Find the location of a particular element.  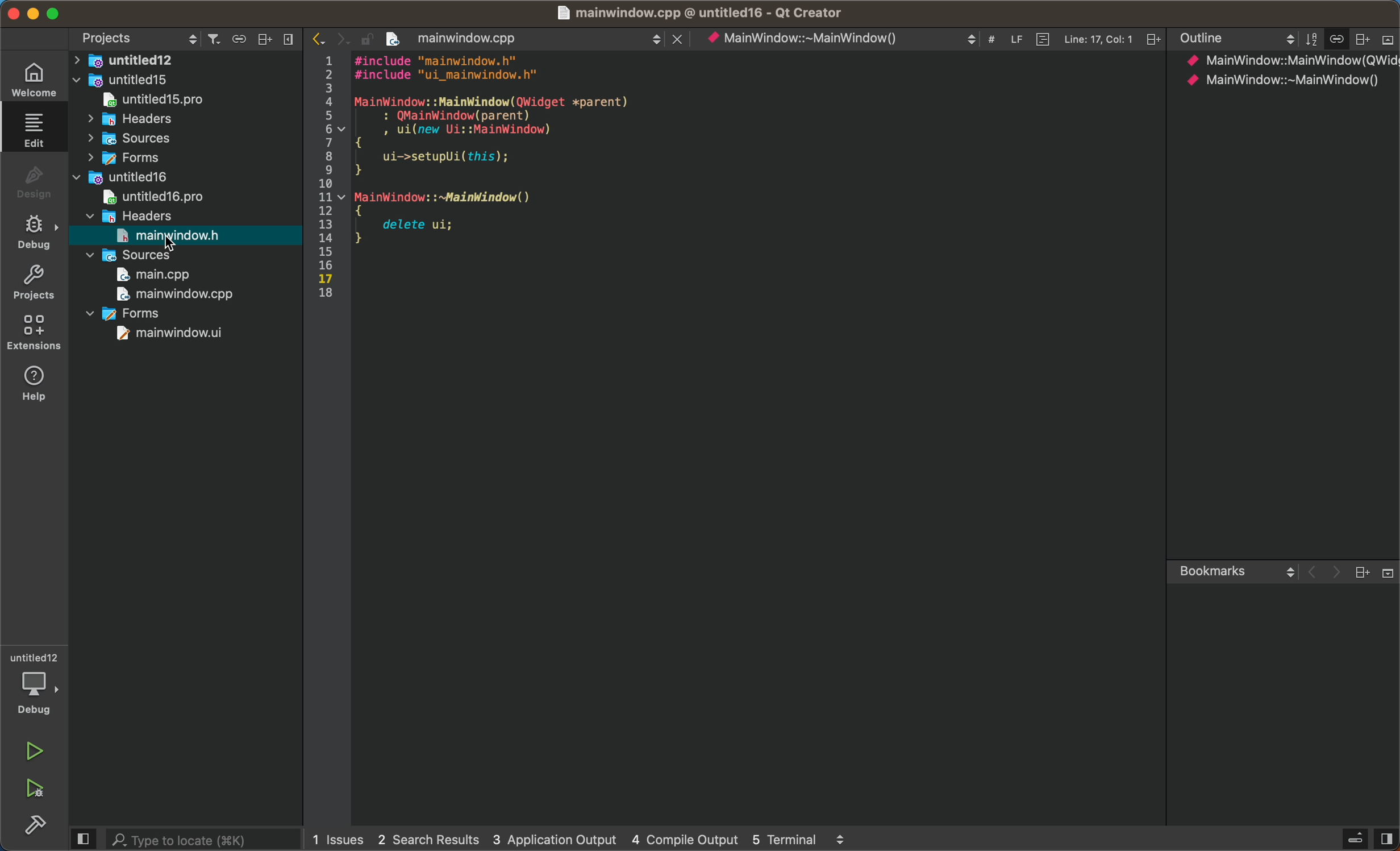

design is located at coordinates (32, 177).